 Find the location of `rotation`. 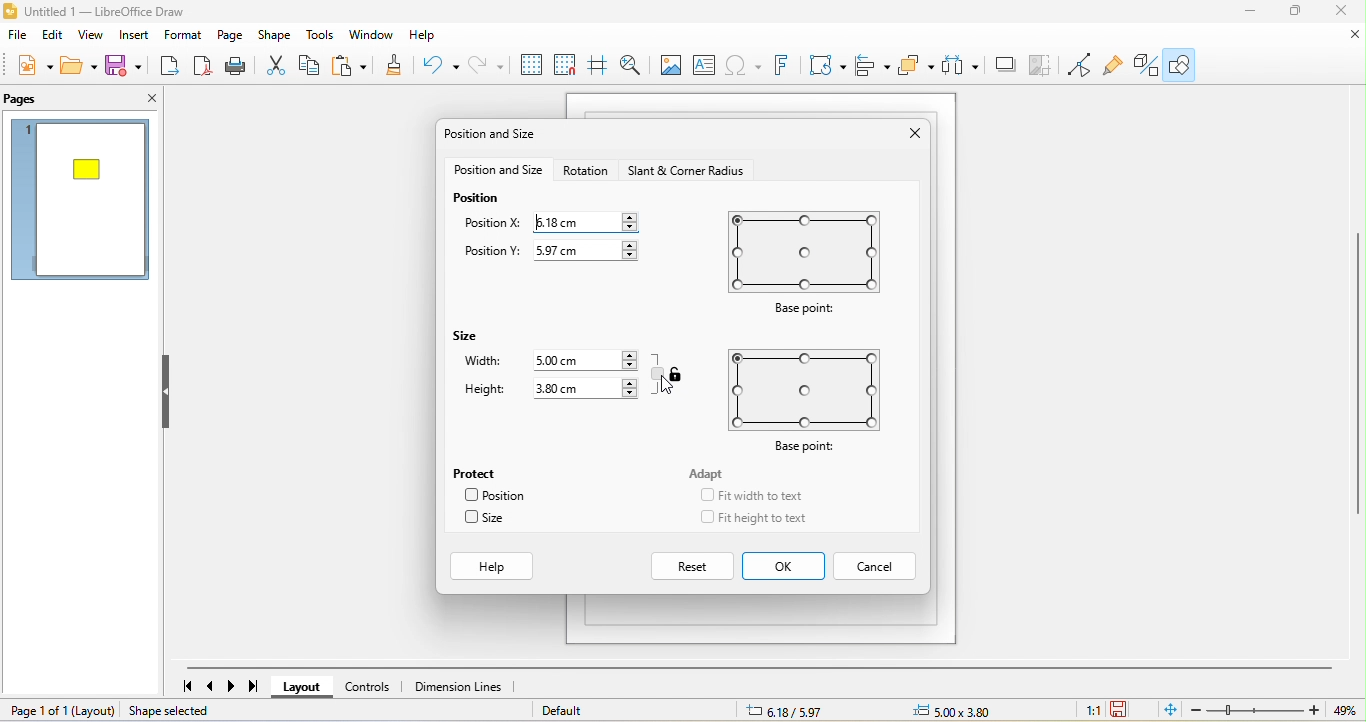

rotation is located at coordinates (587, 172).